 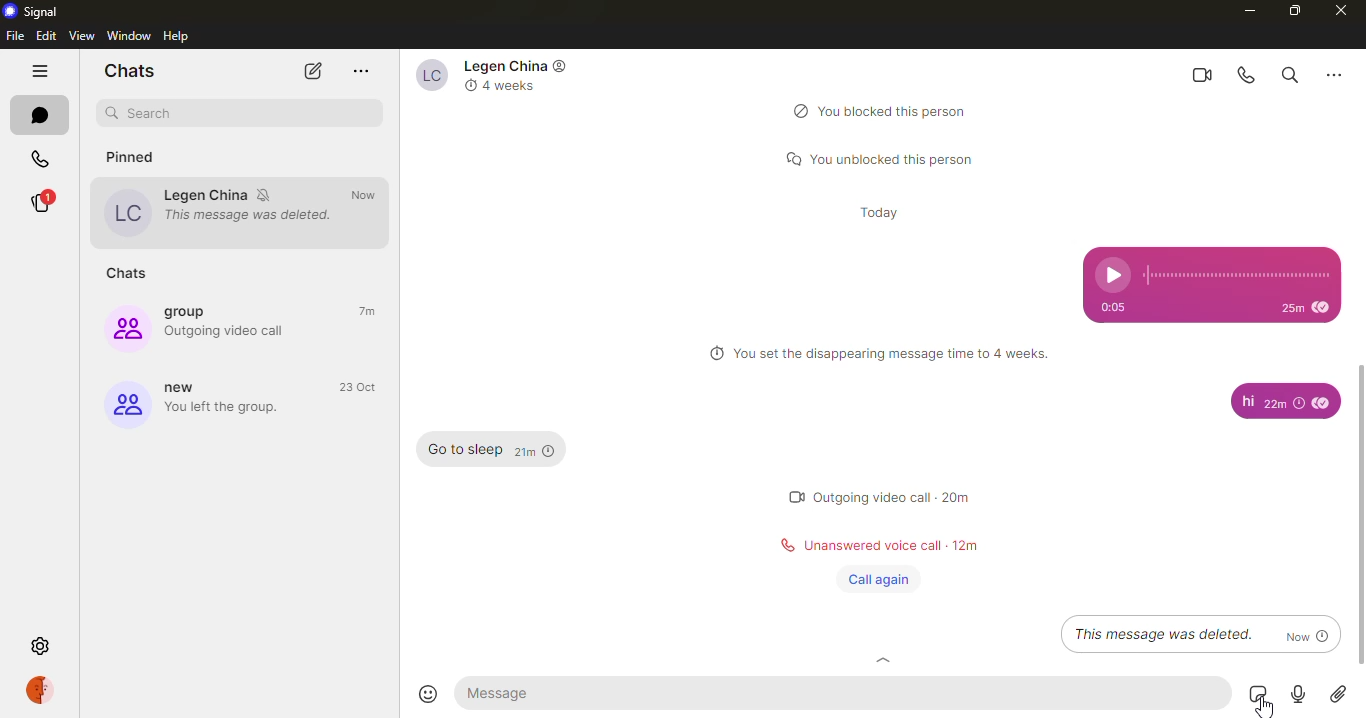 What do you see at coordinates (1254, 693) in the screenshot?
I see `sticker` at bounding box center [1254, 693].